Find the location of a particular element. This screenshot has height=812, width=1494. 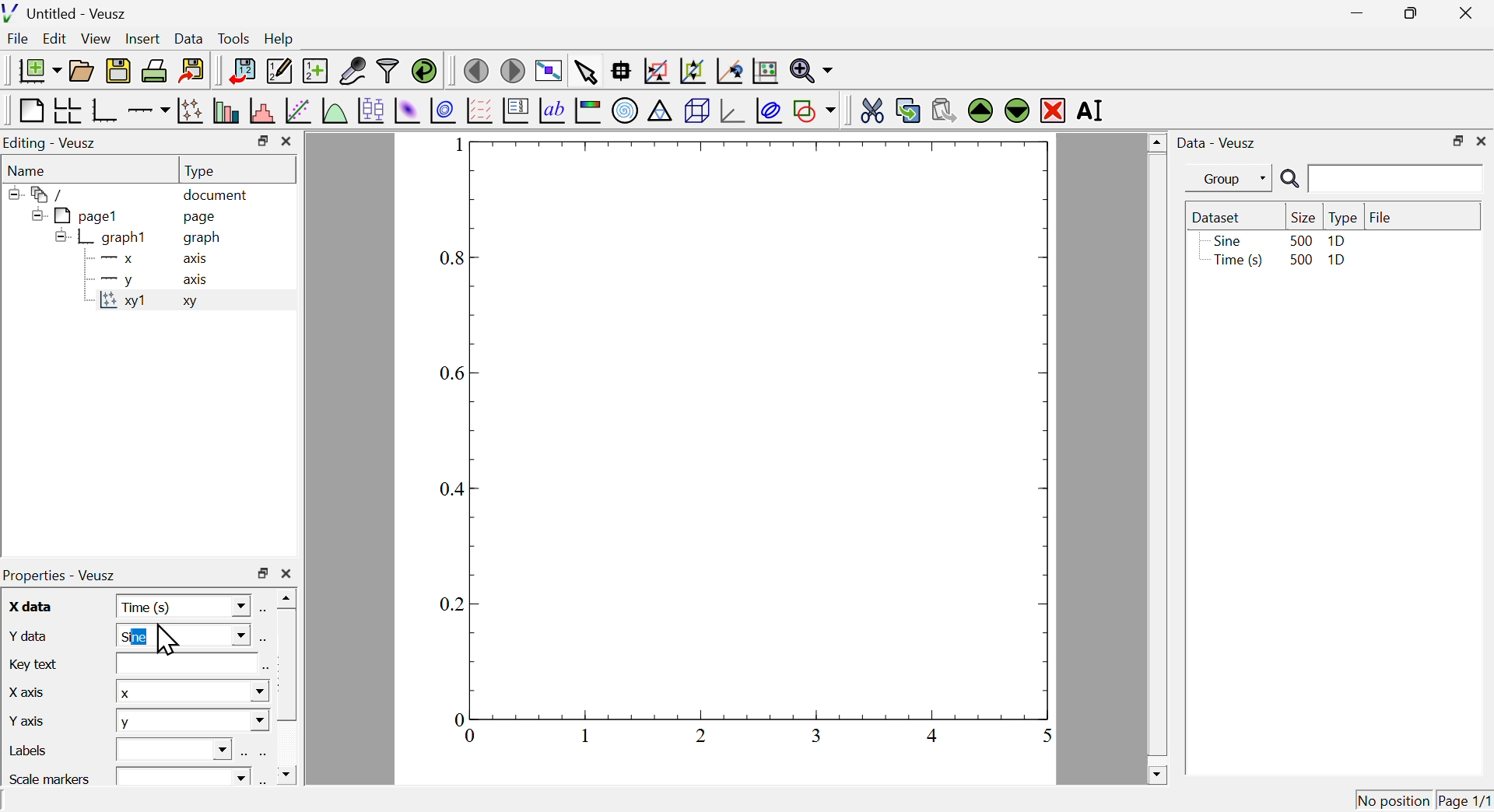

text box is located at coordinates (184, 775).